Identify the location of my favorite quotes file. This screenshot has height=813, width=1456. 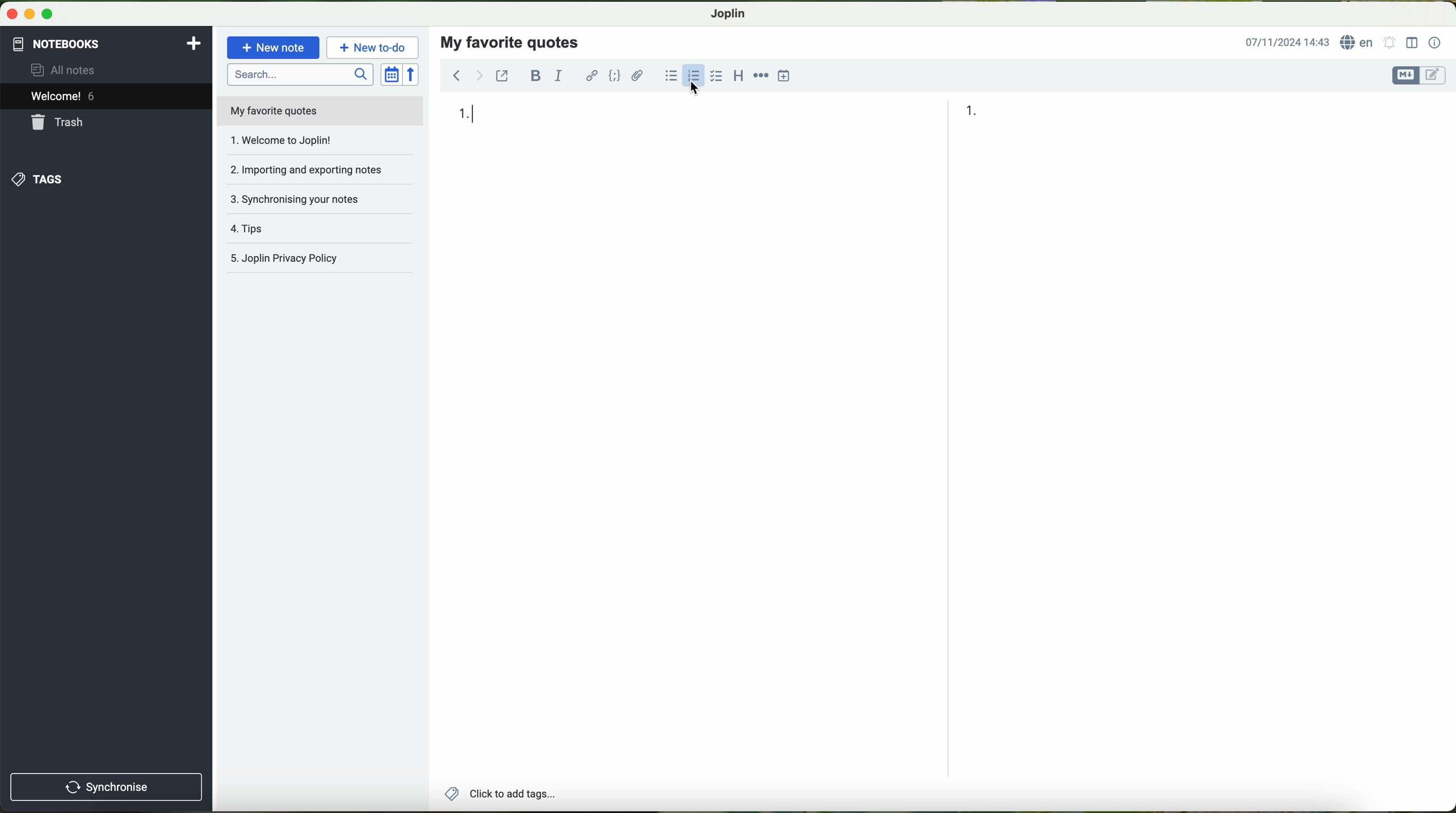
(276, 111).